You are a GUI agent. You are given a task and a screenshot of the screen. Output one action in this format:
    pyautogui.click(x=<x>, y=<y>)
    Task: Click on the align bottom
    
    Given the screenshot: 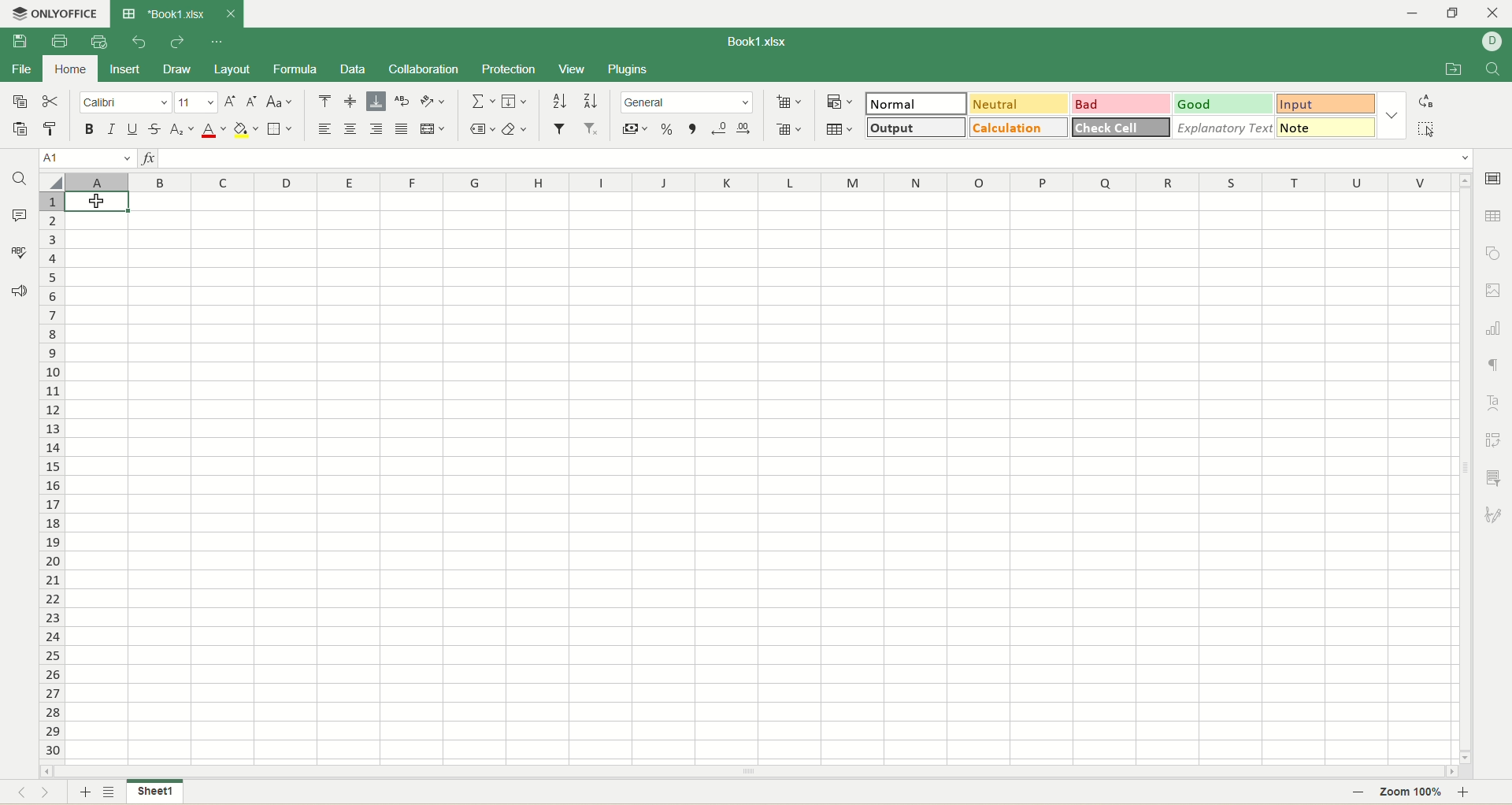 What is the action you would take?
    pyautogui.click(x=376, y=102)
    